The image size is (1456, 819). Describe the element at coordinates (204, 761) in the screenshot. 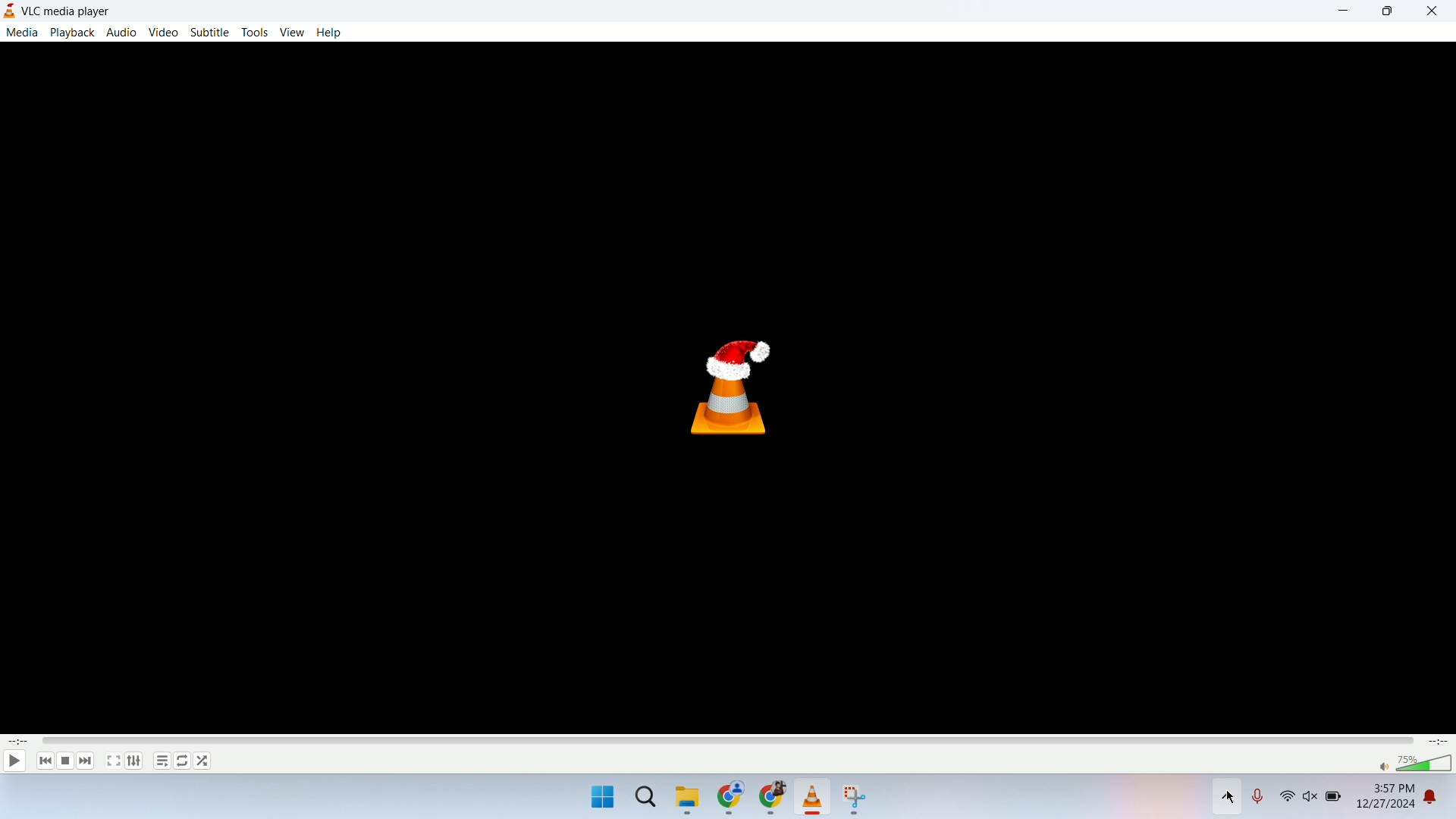

I see `random` at that location.